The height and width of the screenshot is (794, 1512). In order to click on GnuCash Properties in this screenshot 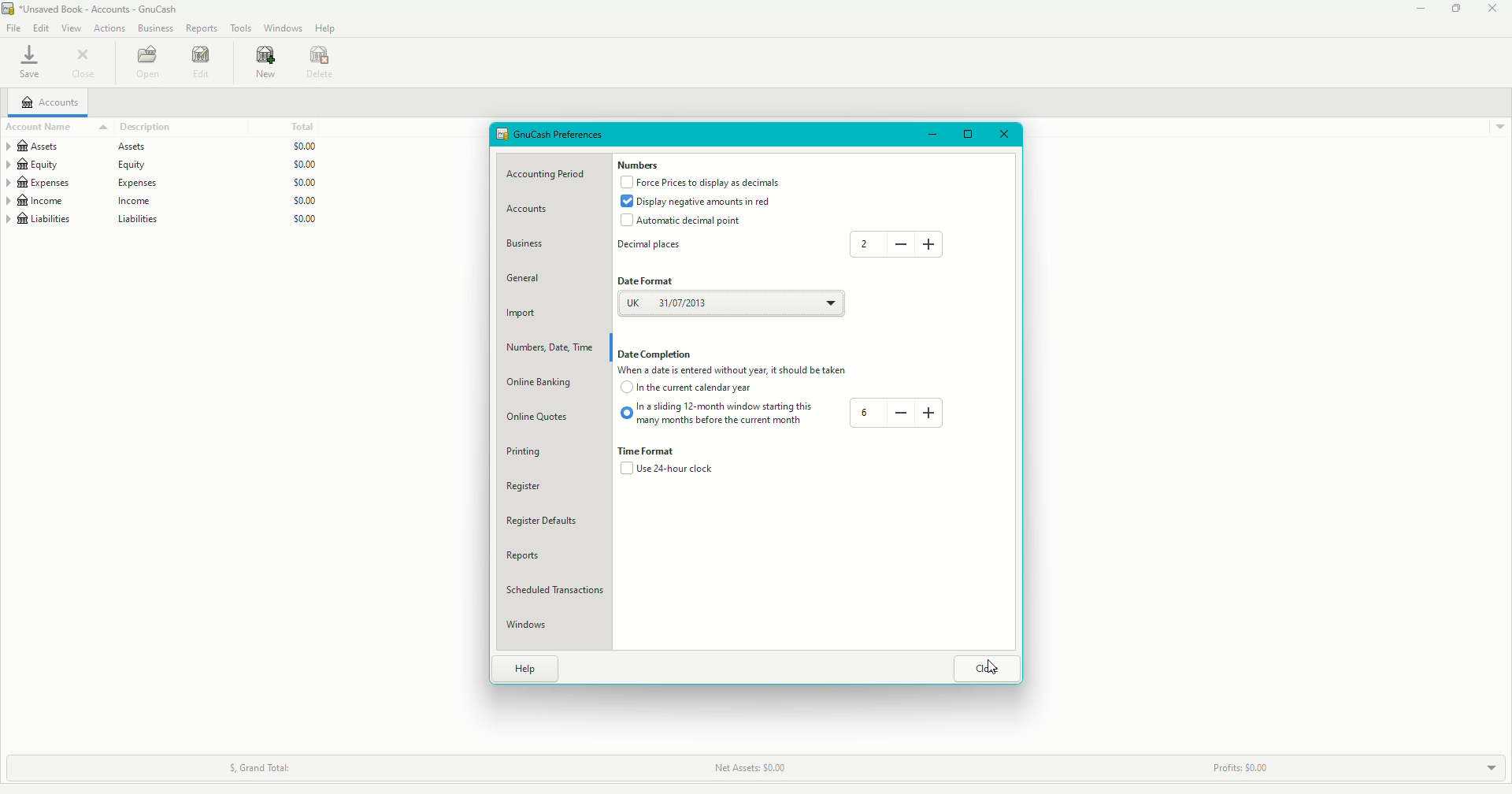, I will do `click(559, 135)`.